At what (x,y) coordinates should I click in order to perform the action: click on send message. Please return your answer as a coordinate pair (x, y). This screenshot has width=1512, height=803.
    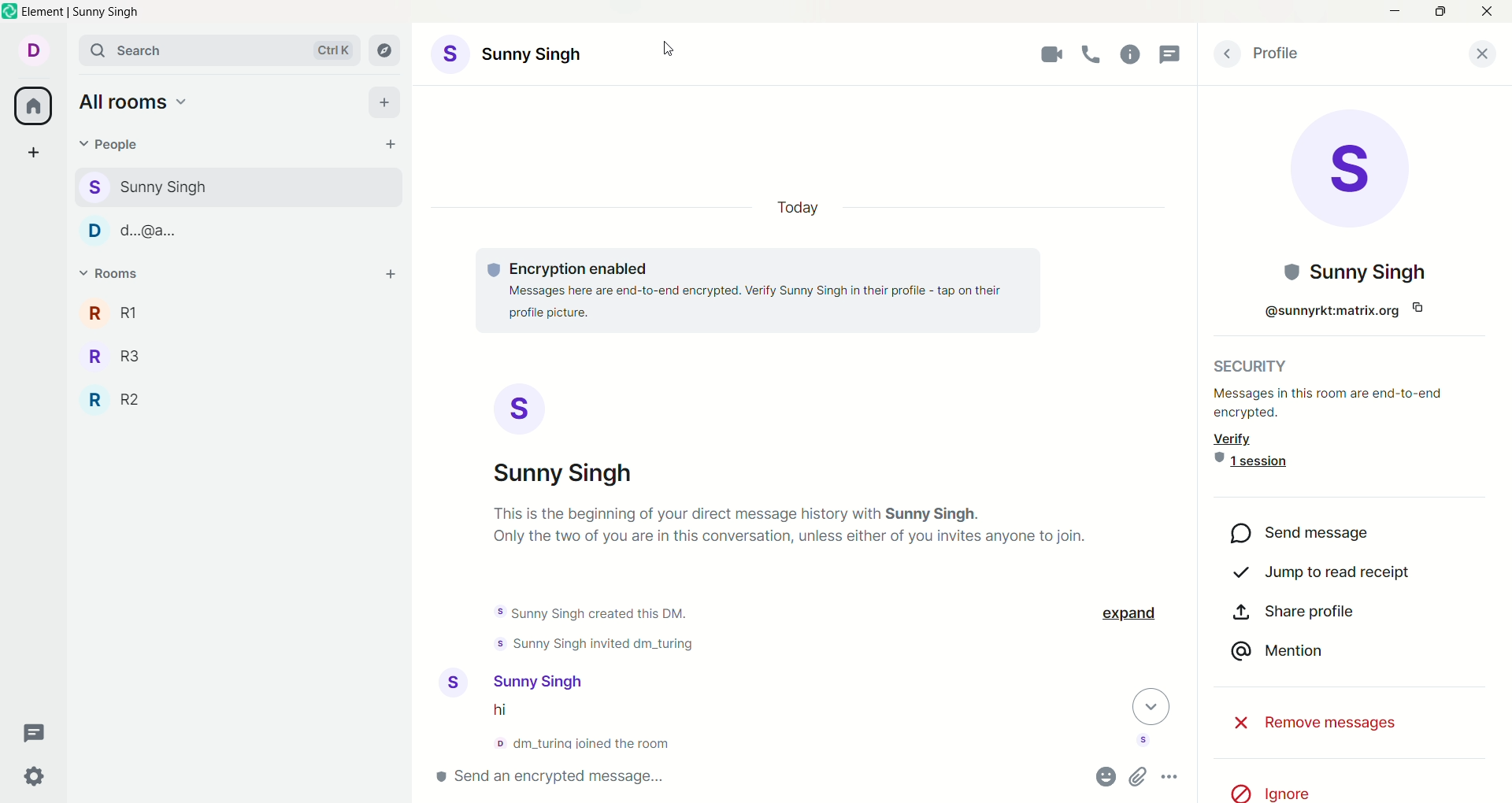
    Looking at the image, I should click on (1301, 534).